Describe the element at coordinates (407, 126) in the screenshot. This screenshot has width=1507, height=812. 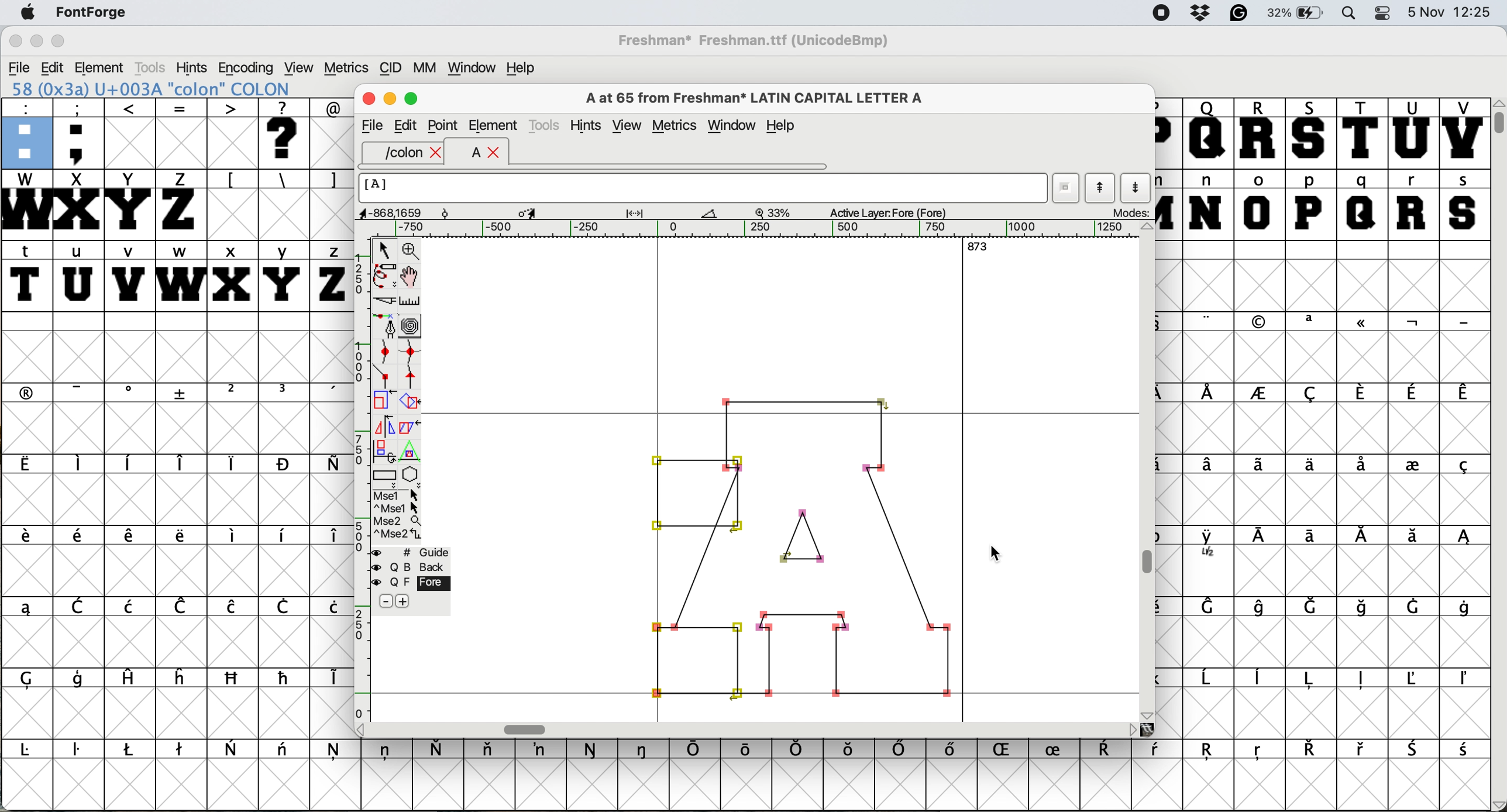
I see `edit` at that location.